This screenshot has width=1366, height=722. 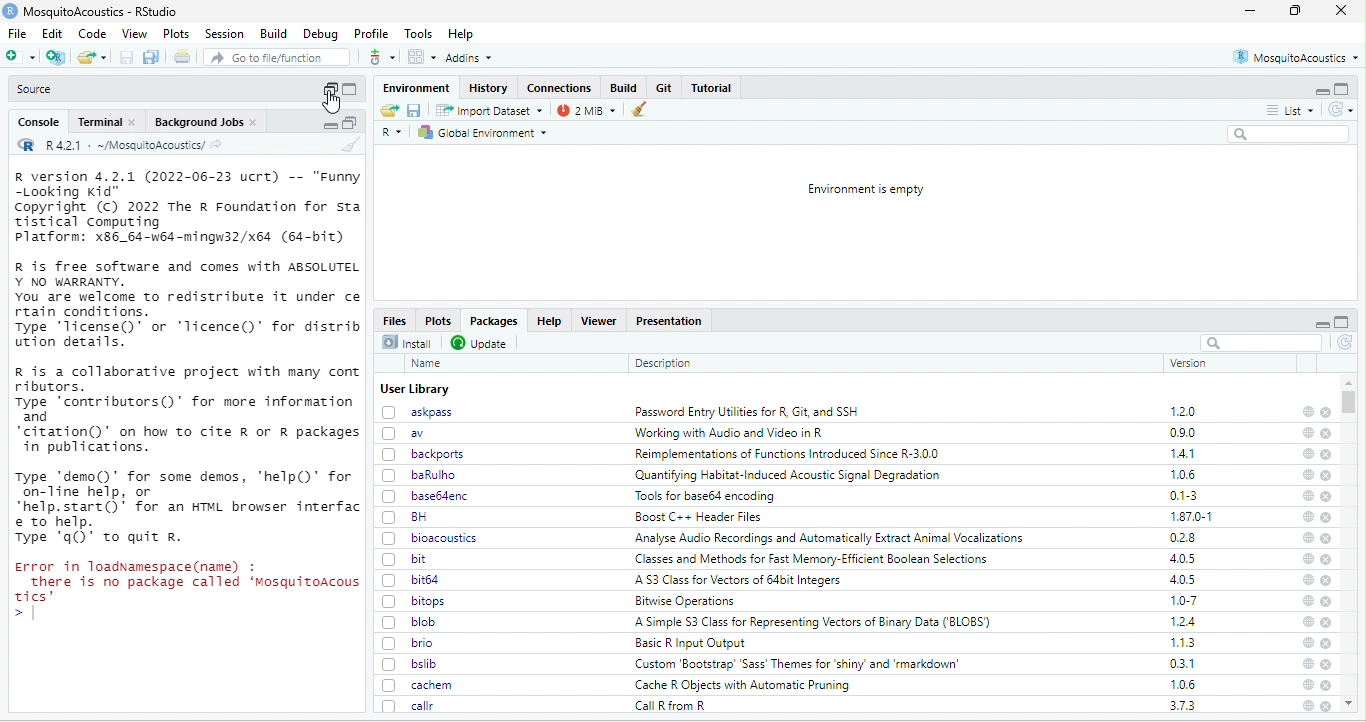 What do you see at coordinates (589, 110) in the screenshot?
I see `2 MiB` at bounding box center [589, 110].